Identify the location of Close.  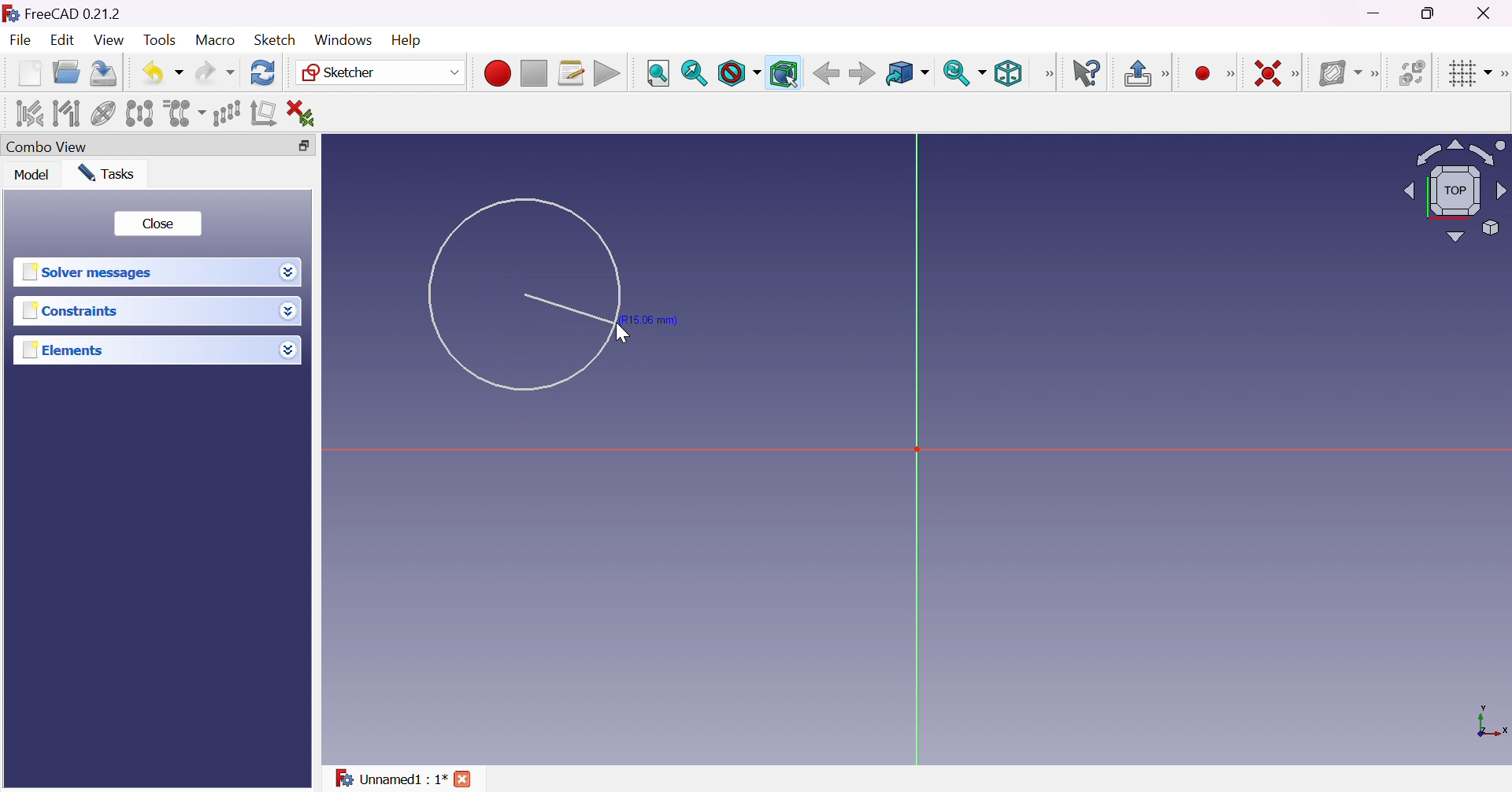
(157, 224).